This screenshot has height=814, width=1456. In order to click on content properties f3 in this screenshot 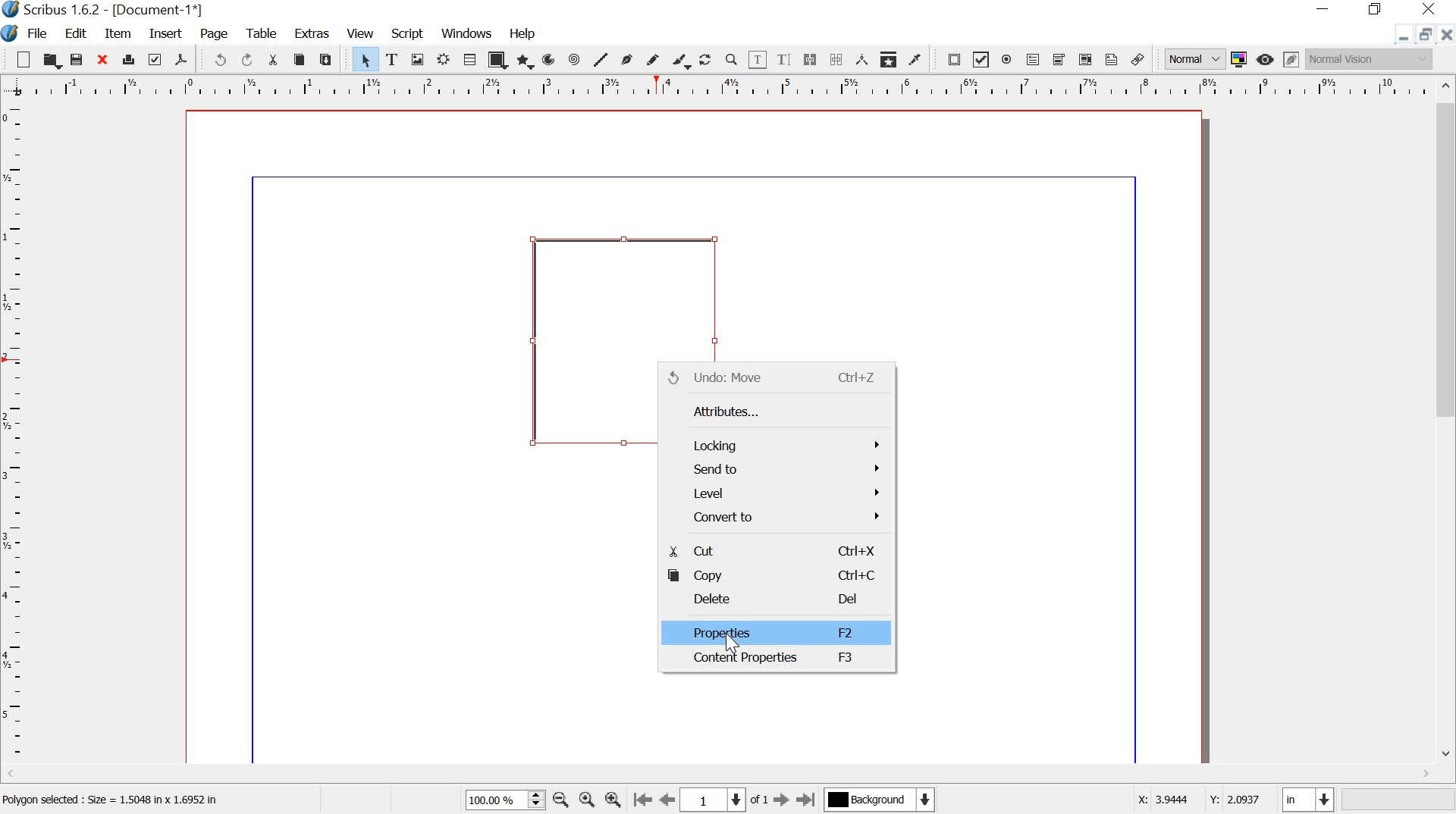, I will do `click(774, 659)`.